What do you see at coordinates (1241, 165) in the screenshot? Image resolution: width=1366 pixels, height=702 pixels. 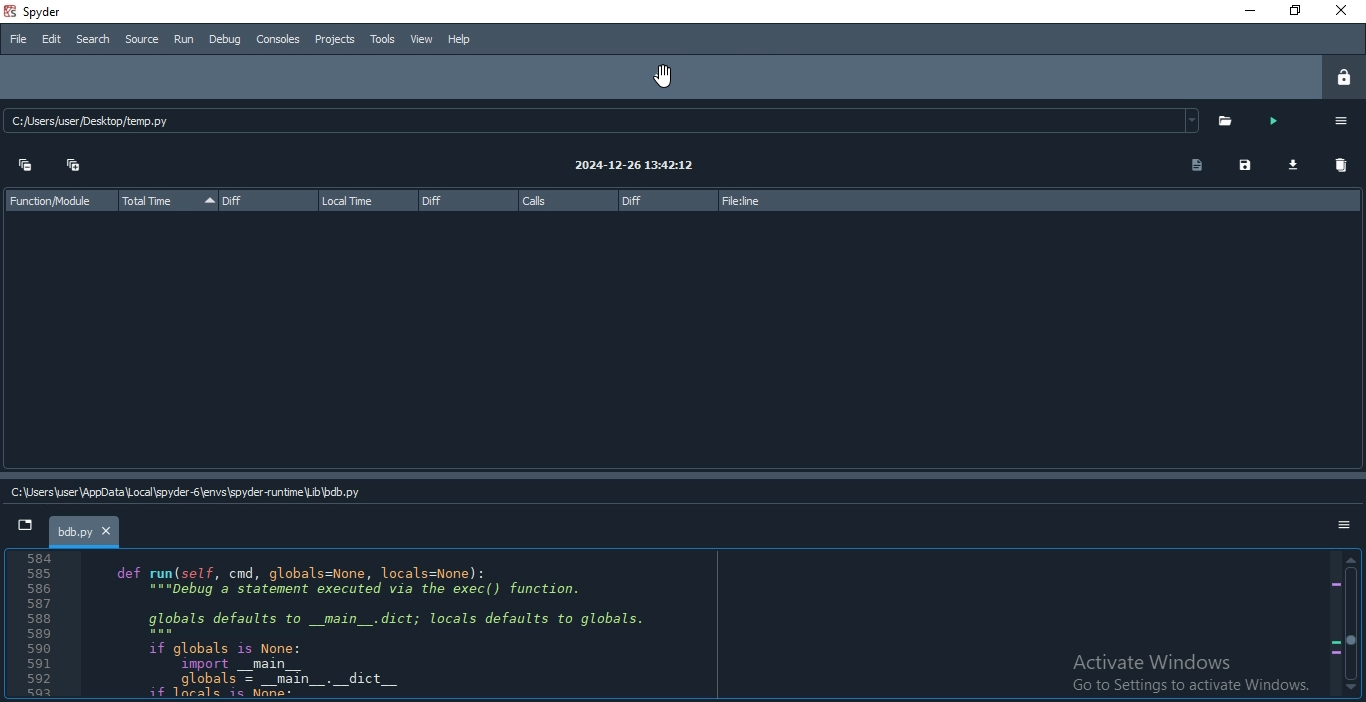 I see `save` at bounding box center [1241, 165].